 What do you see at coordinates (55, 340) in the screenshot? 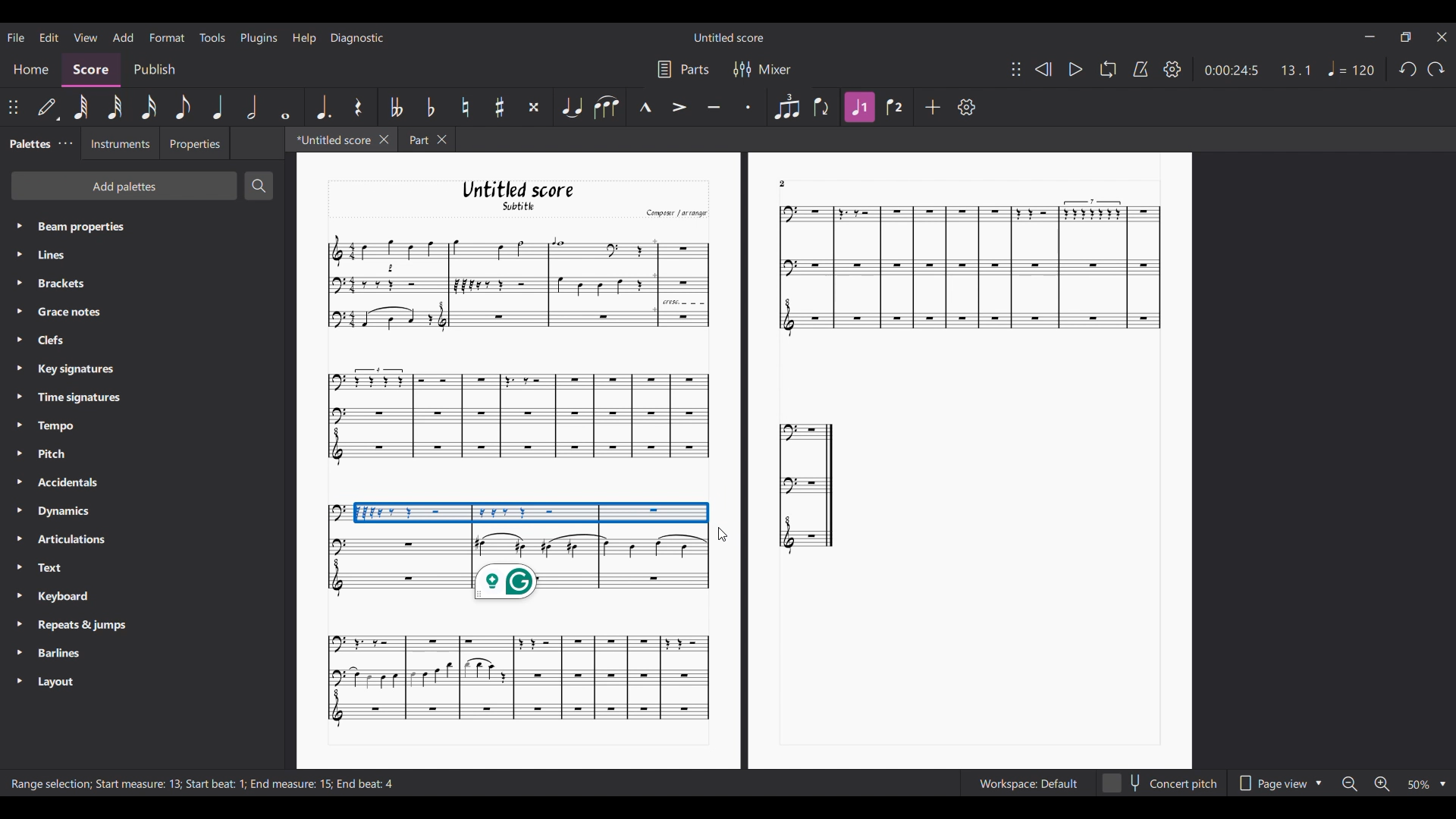
I see `»  Clefs` at bounding box center [55, 340].